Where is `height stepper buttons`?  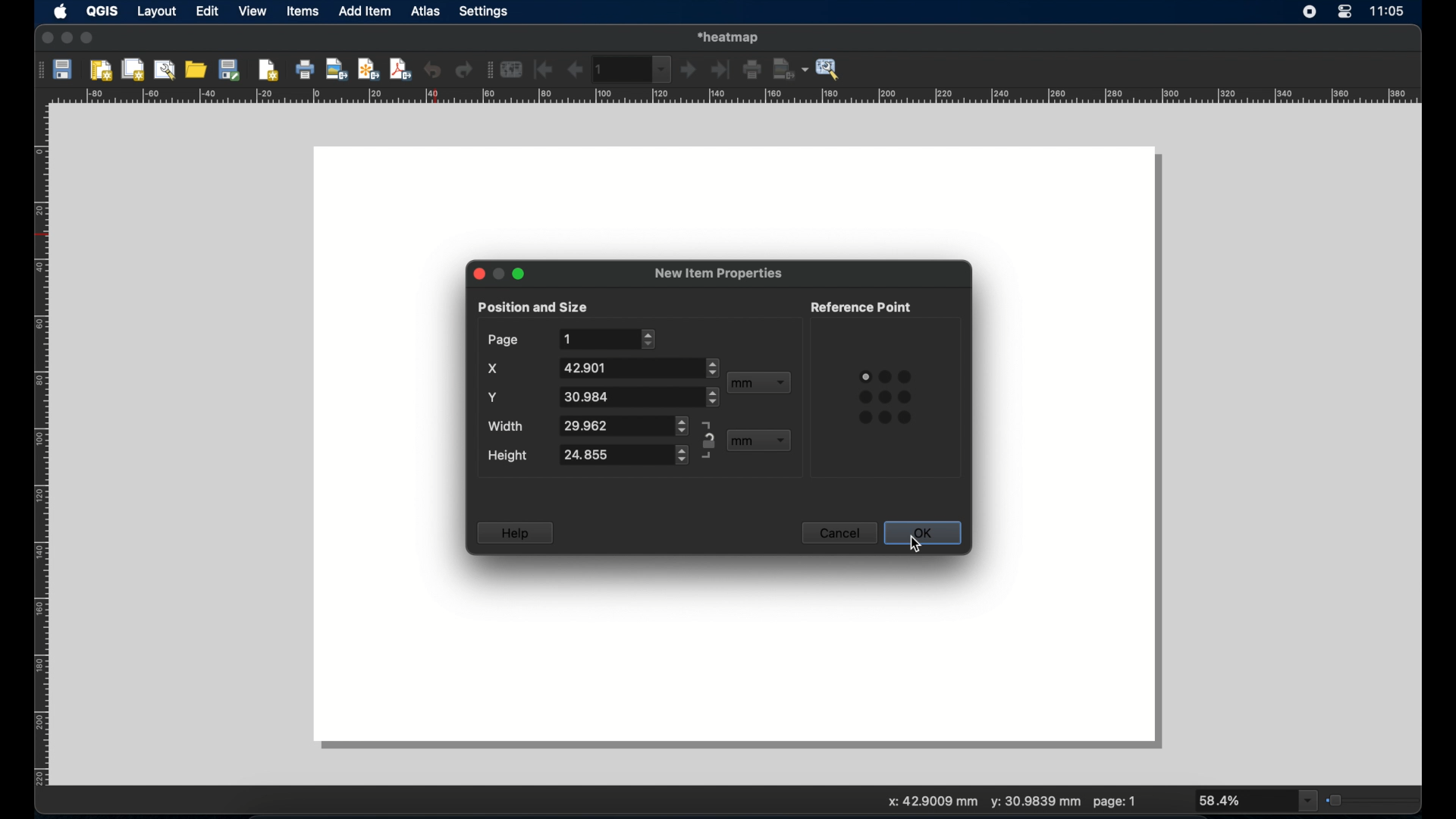 height stepper buttons is located at coordinates (623, 456).